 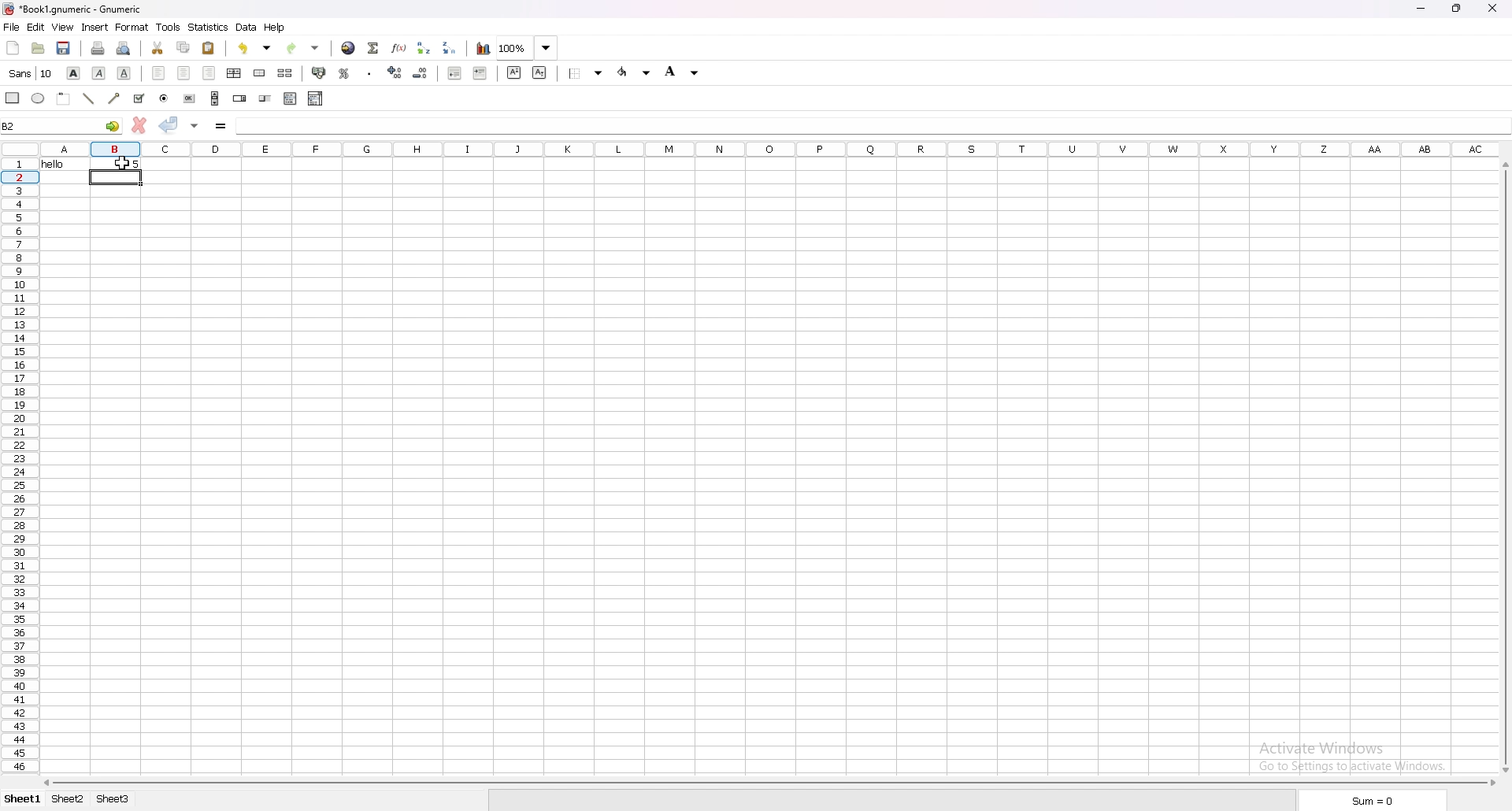 I want to click on superscript, so click(x=514, y=72).